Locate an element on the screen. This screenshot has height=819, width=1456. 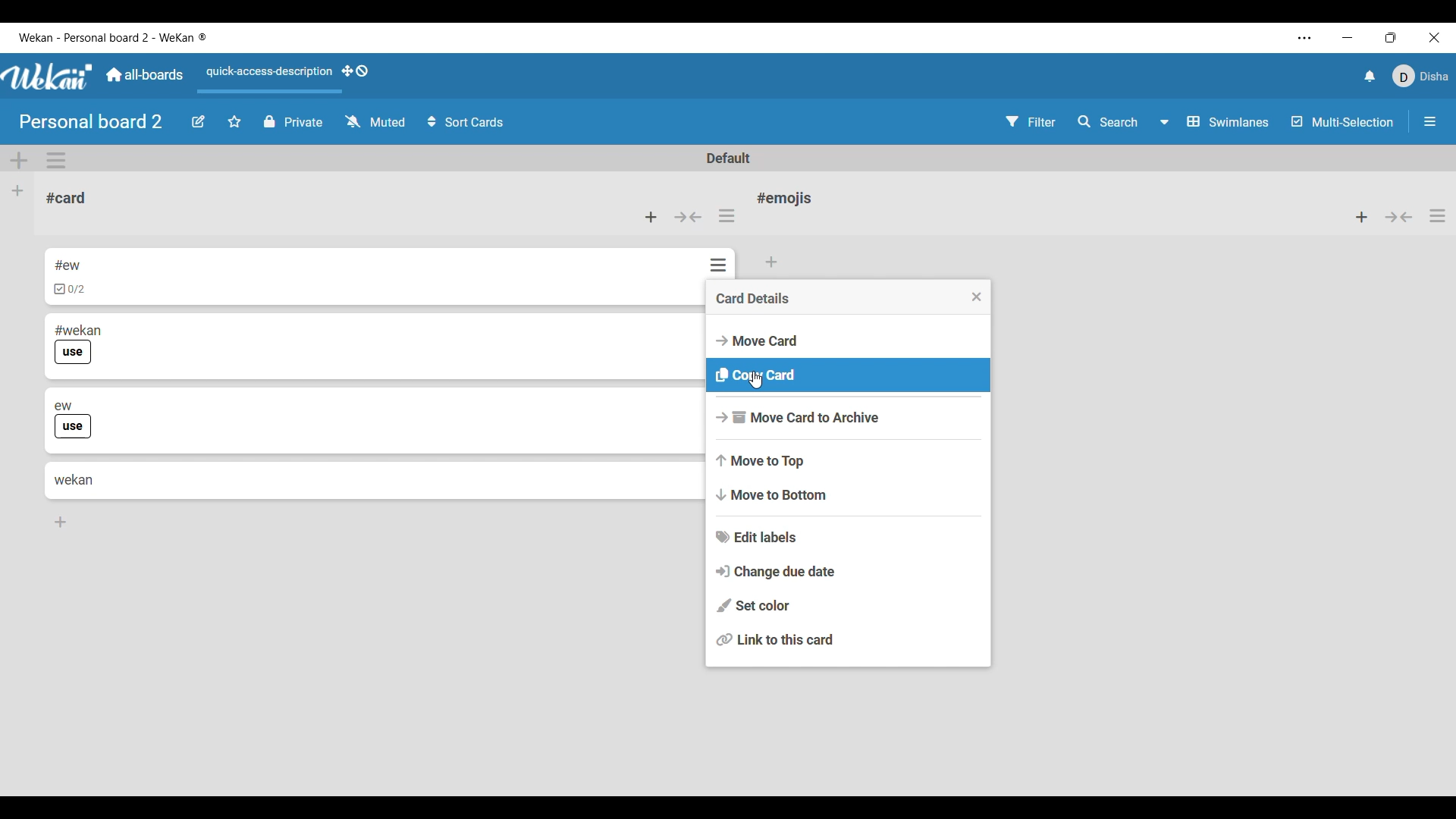
Indicates checklist in card 1 is located at coordinates (70, 290).